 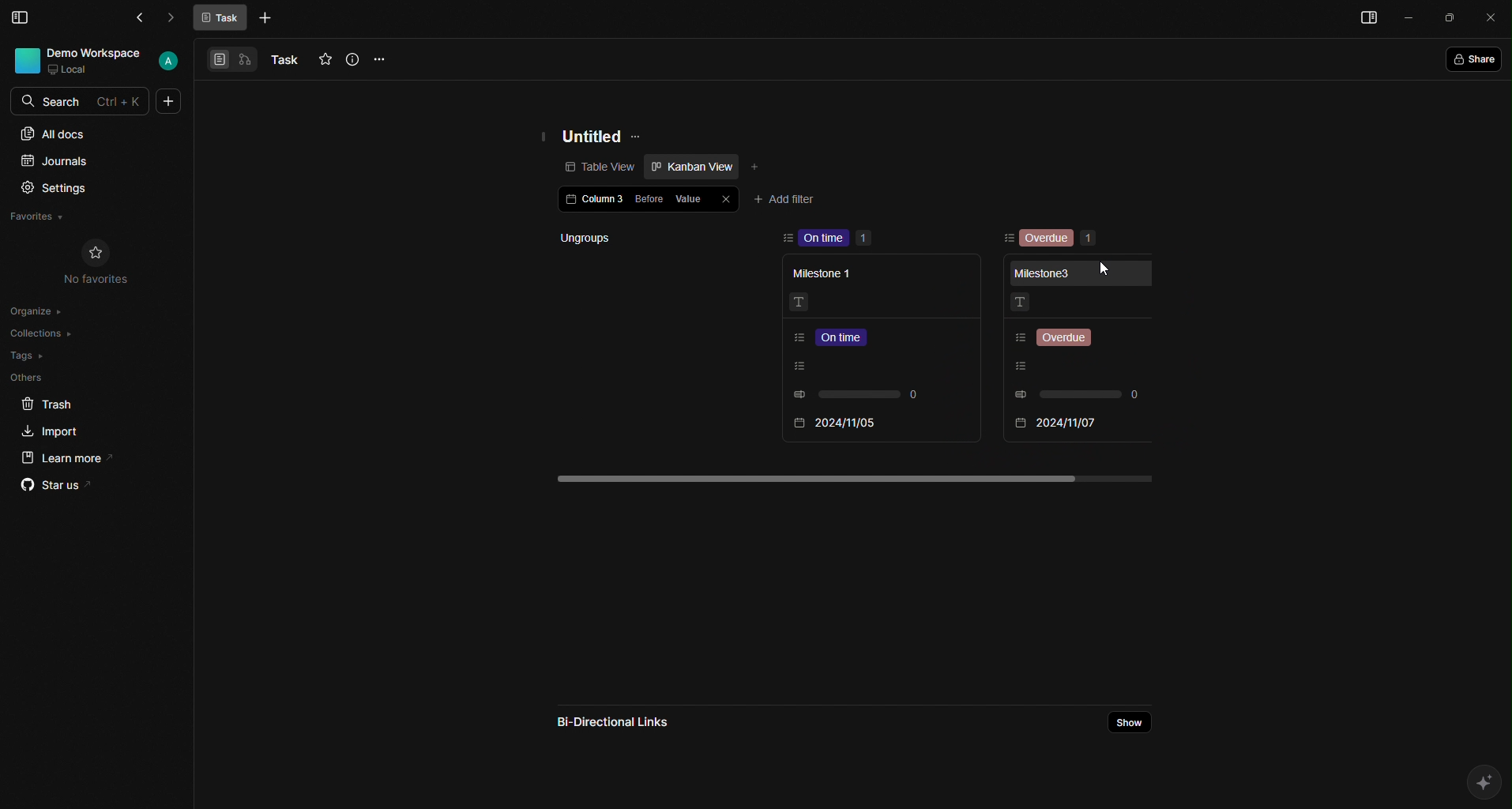 What do you see at coordinates (1060, 239) in the screenshot?
I see `Overdue` at bounding box center [1060, 239].